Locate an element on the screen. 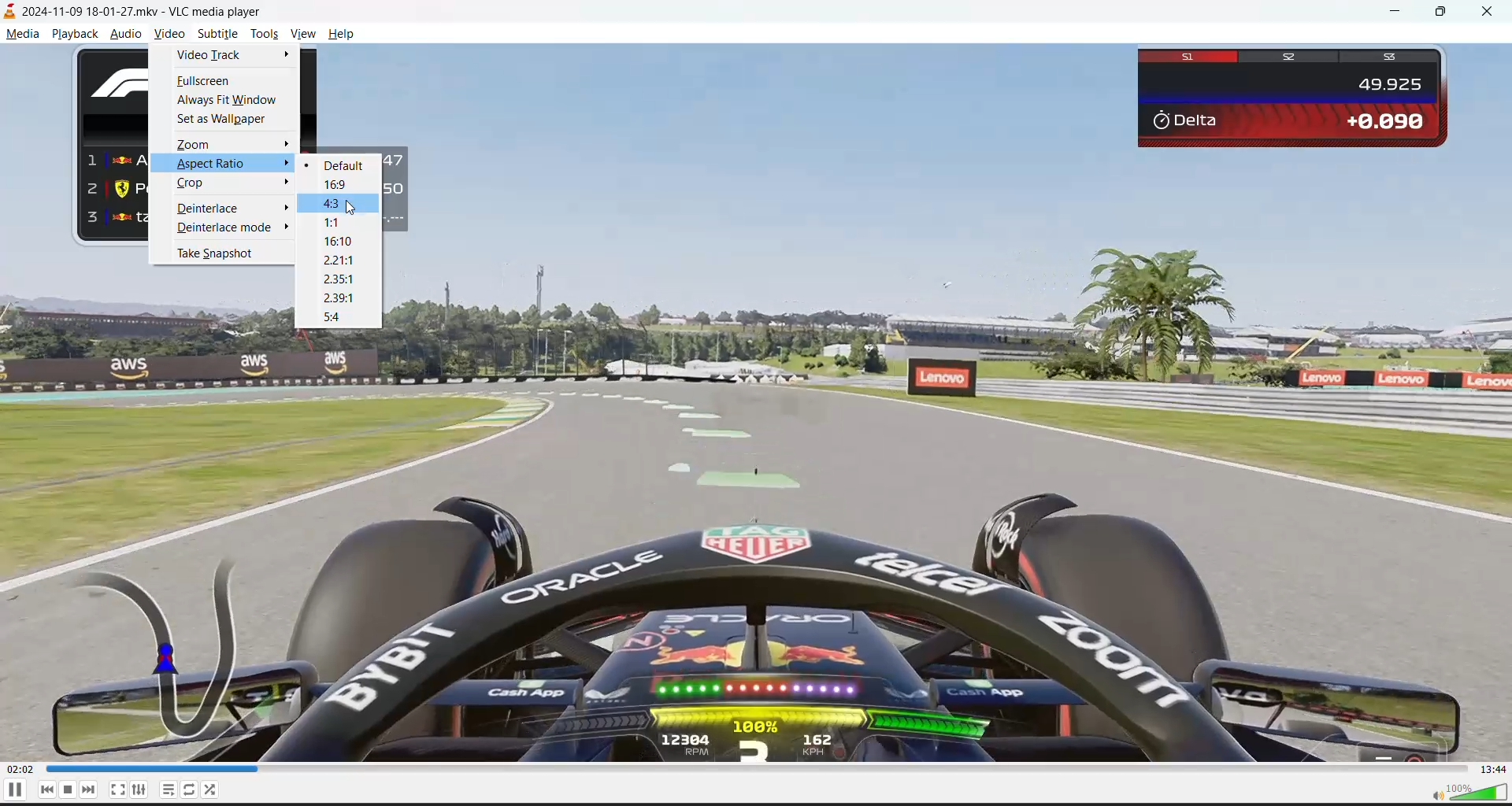 This screenshot has width=1512, height=806. 16:10 is located at coordinates (340, 241).